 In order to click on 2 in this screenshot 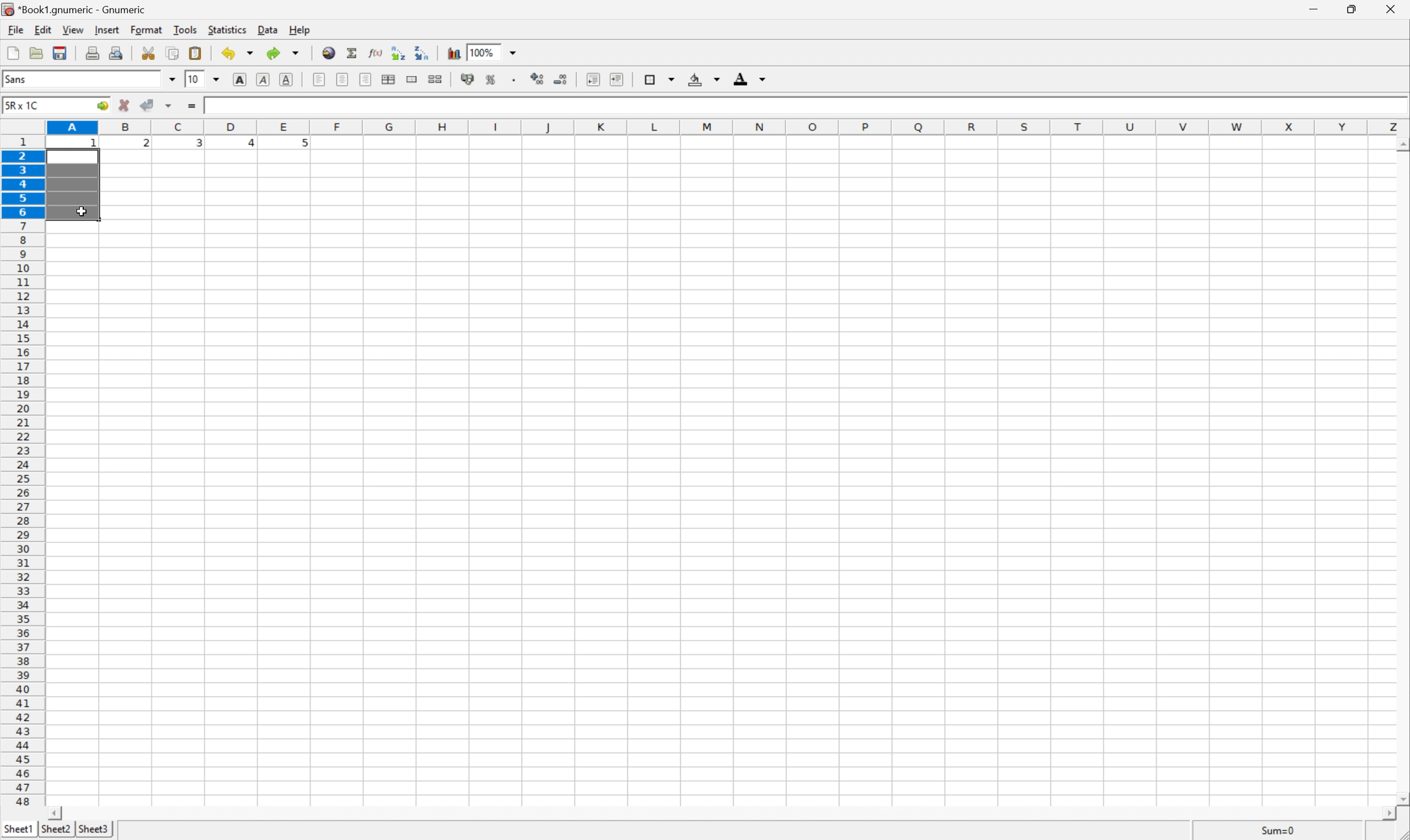, I will do `click(146, 145)`.